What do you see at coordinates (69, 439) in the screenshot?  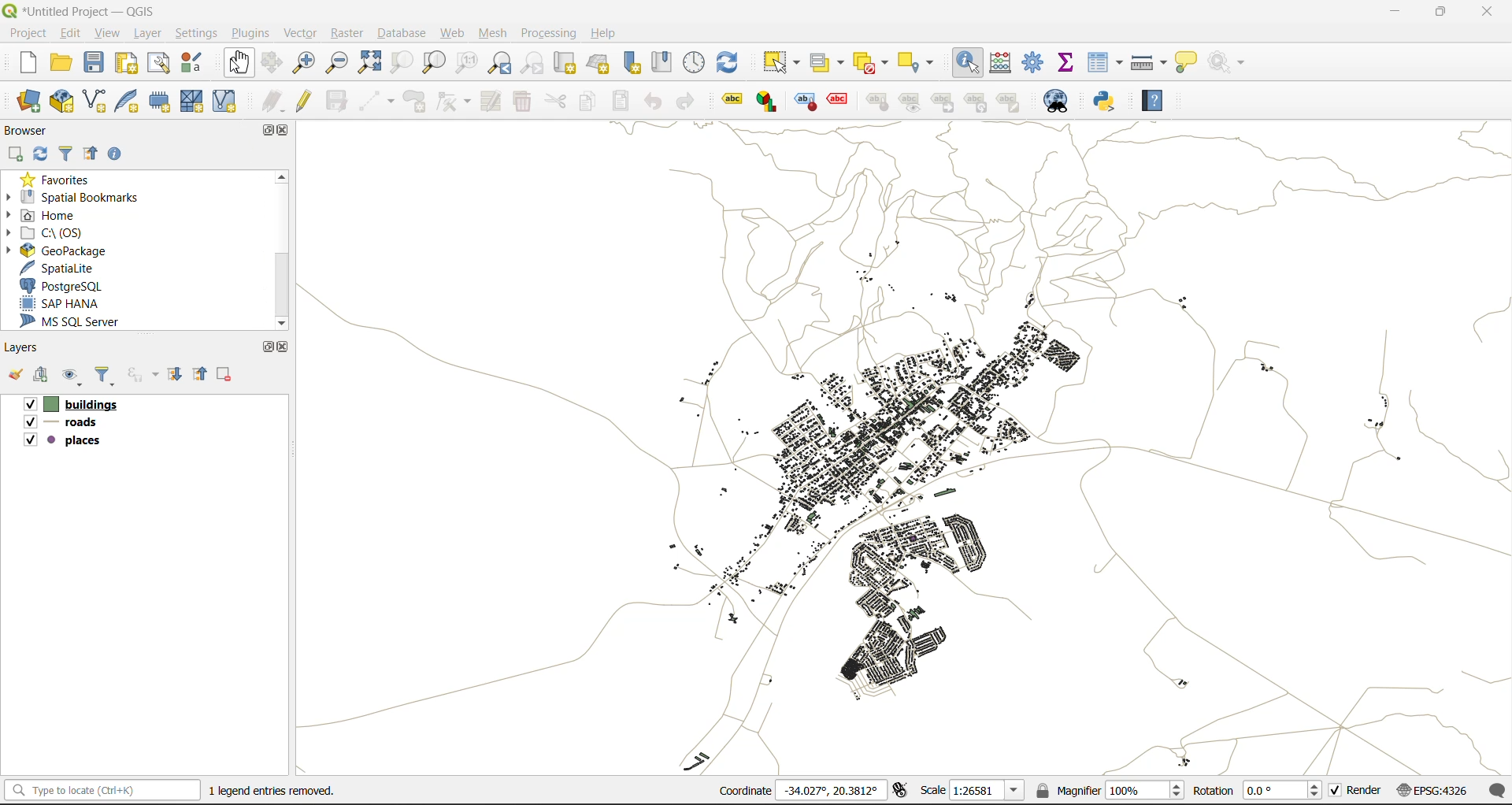 I see `places` at bounding box center [69, 439].